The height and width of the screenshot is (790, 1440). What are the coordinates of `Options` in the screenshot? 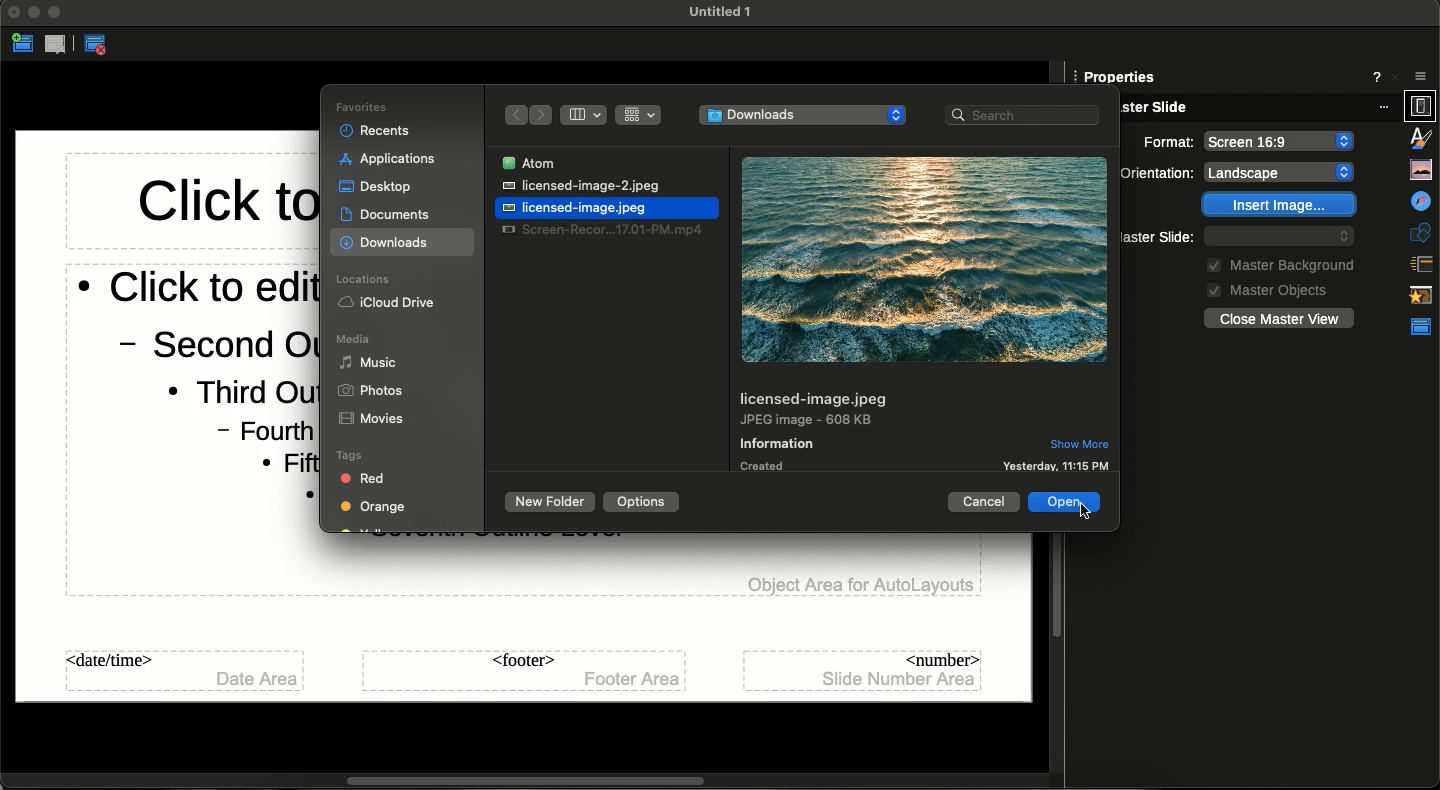 It's located at (643, 502).